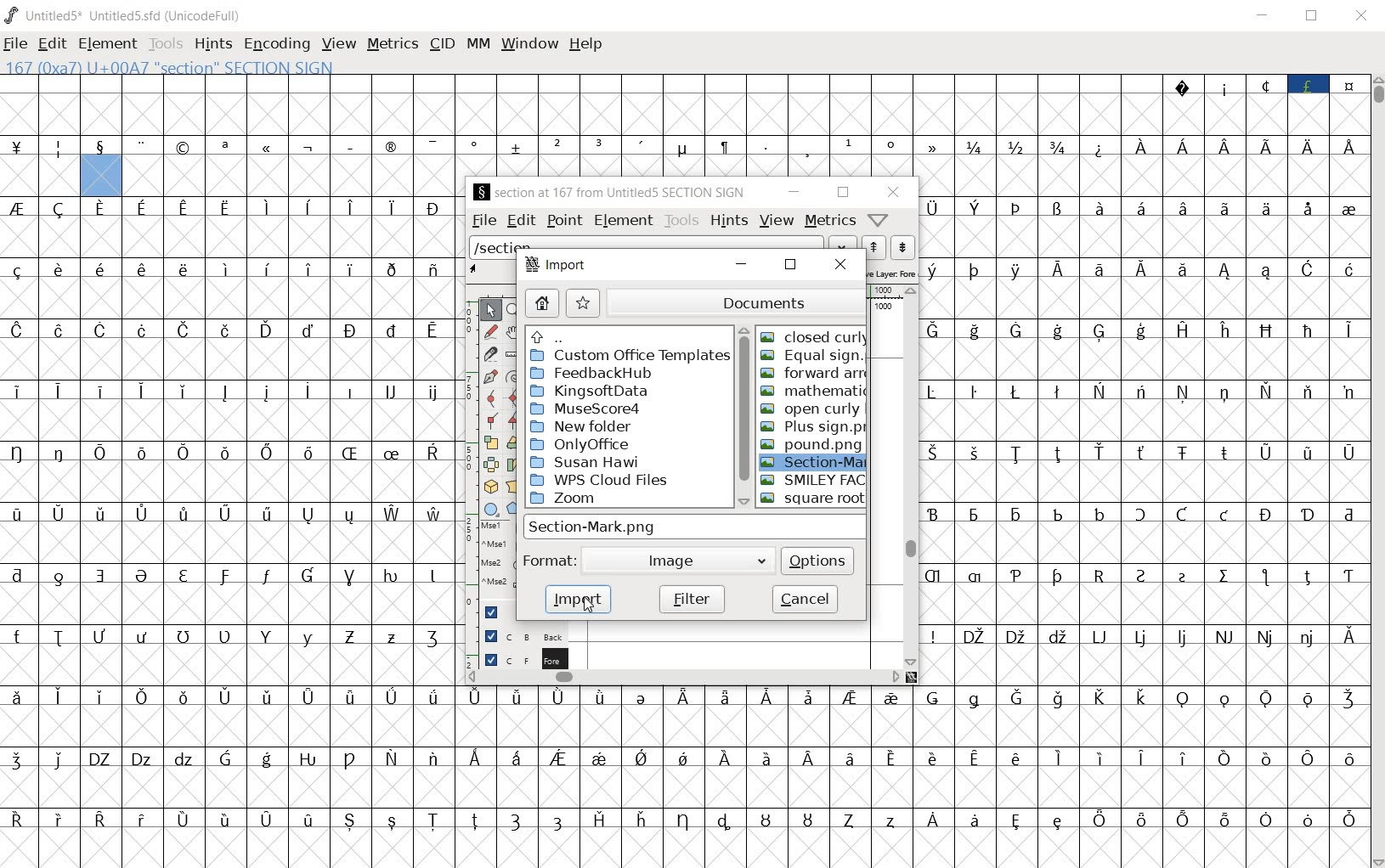  What do you see at coordinates (1100, 147) in the screenshot?
I see `special symbol` at bounding box center [1100, 147].